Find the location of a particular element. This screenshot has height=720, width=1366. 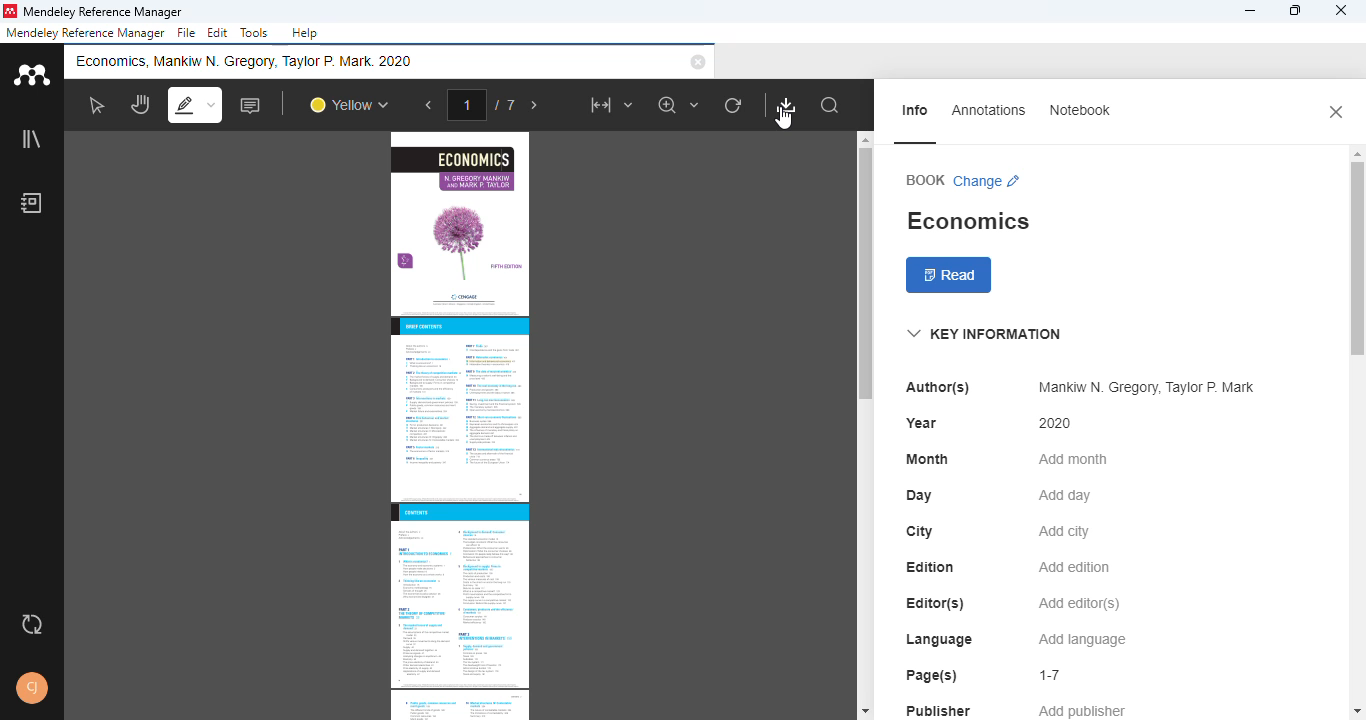

rotate is located at coordinates (733, 105).